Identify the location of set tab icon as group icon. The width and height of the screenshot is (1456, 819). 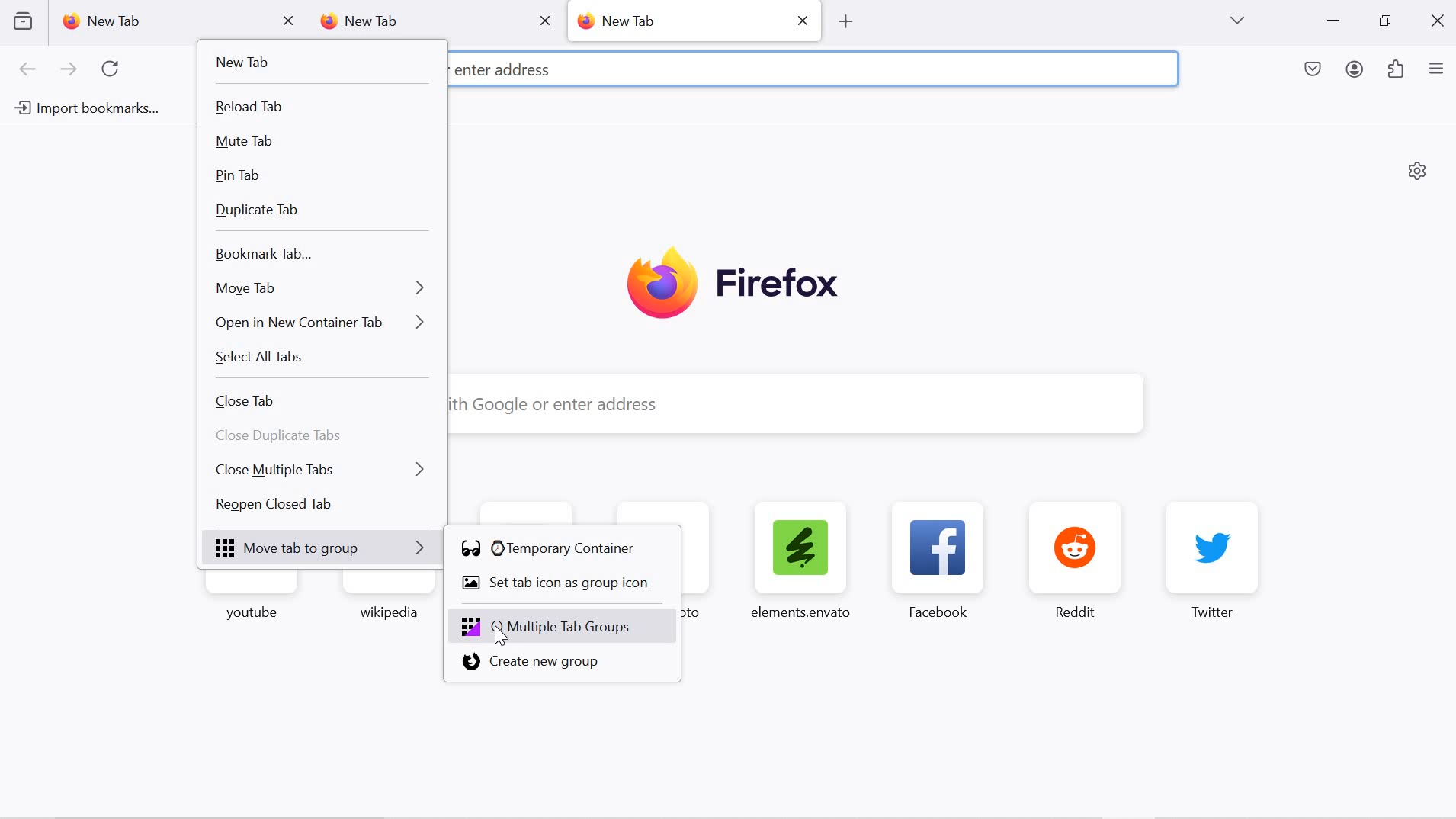
(564, 585).